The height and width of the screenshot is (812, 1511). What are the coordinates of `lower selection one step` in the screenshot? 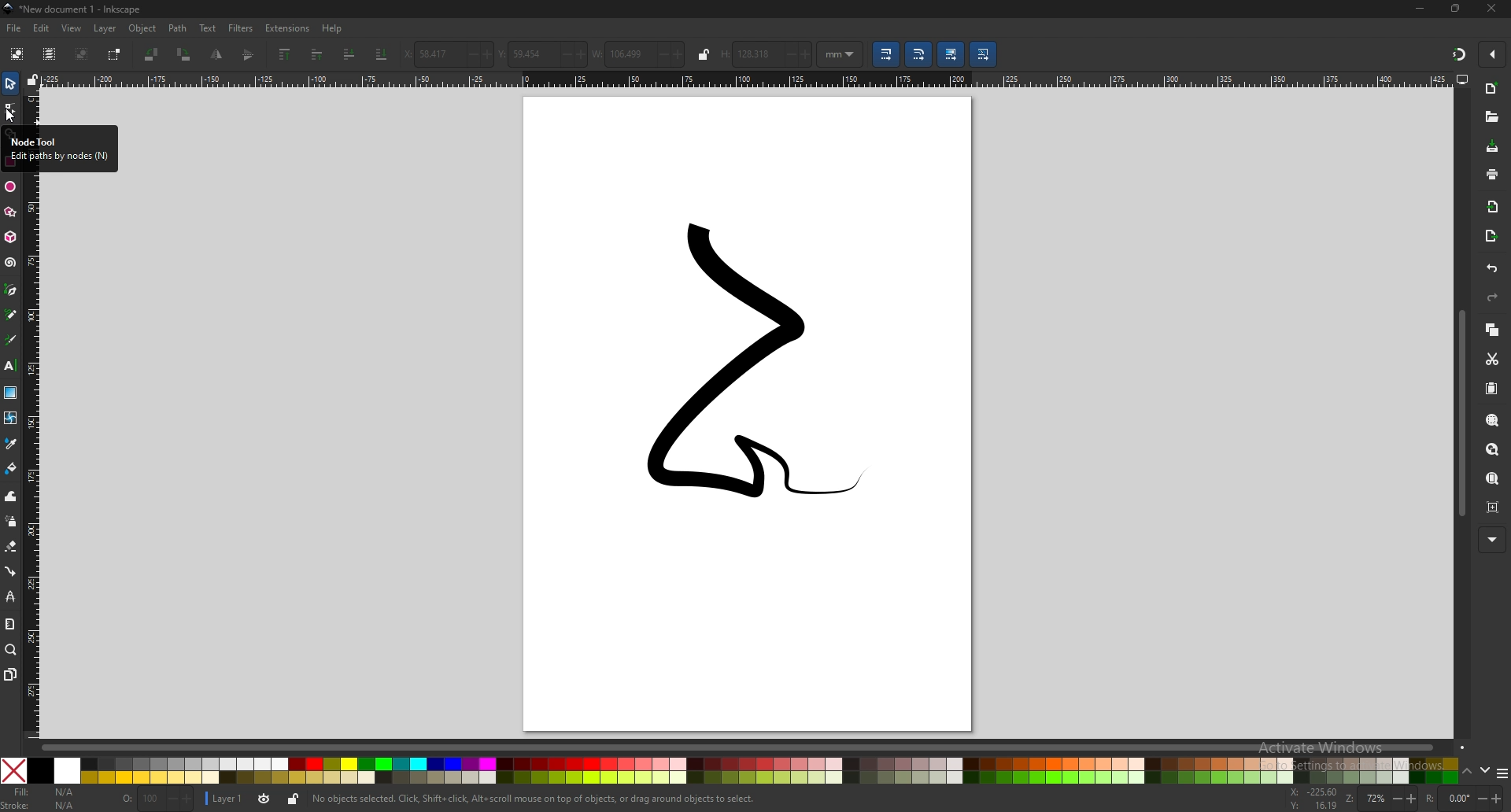 It's located at (349, 55).